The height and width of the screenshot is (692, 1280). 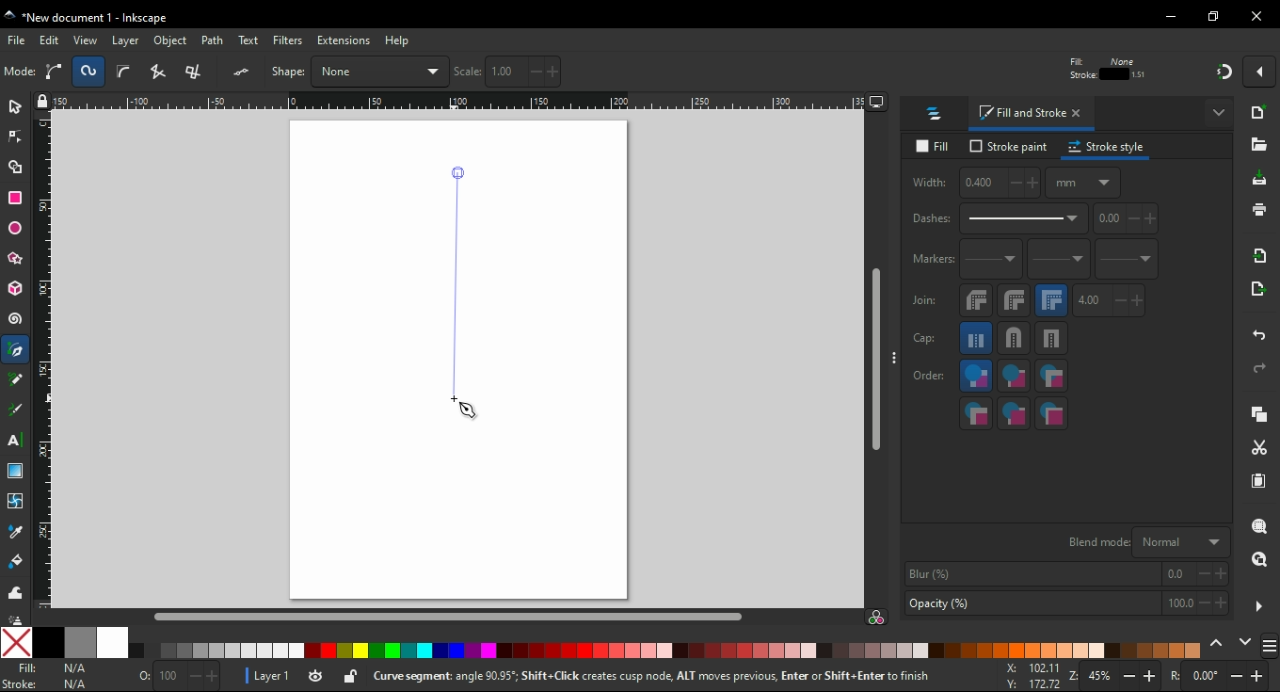 I want to click on color tone pallete, so click(x=599, y=649).